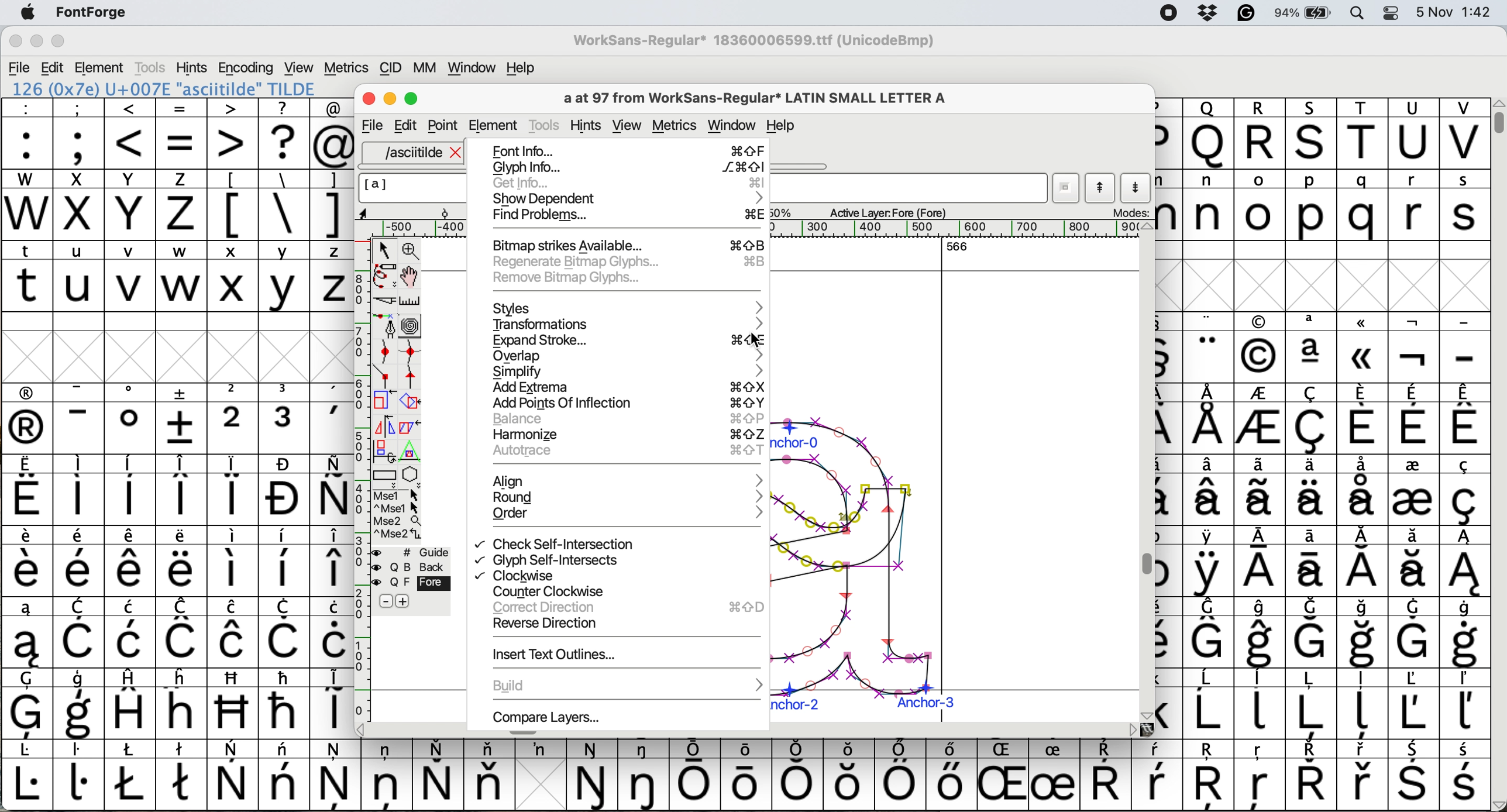 Image resolution: width=1507 pixels, height=812 pixels. I want to click on symbol, so click(900, 775).